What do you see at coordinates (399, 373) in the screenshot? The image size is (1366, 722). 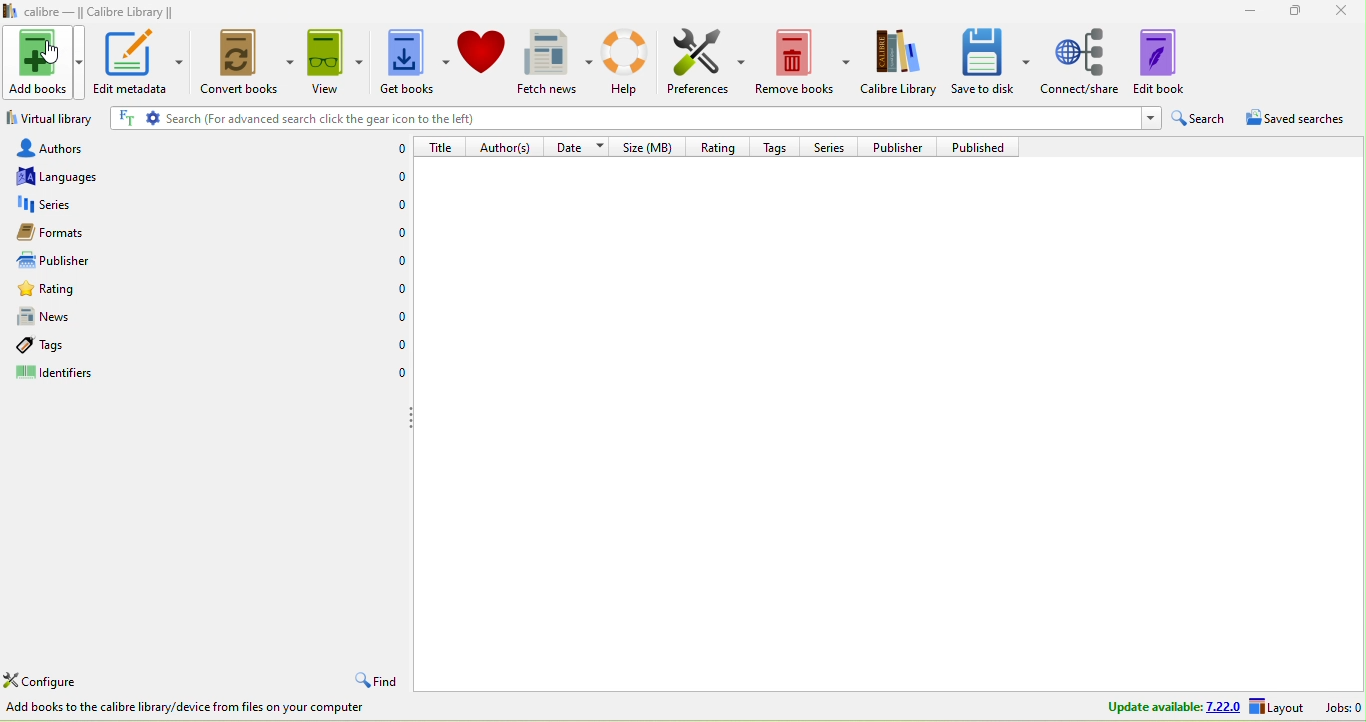 I see `0` at bounding box center [399, 373].